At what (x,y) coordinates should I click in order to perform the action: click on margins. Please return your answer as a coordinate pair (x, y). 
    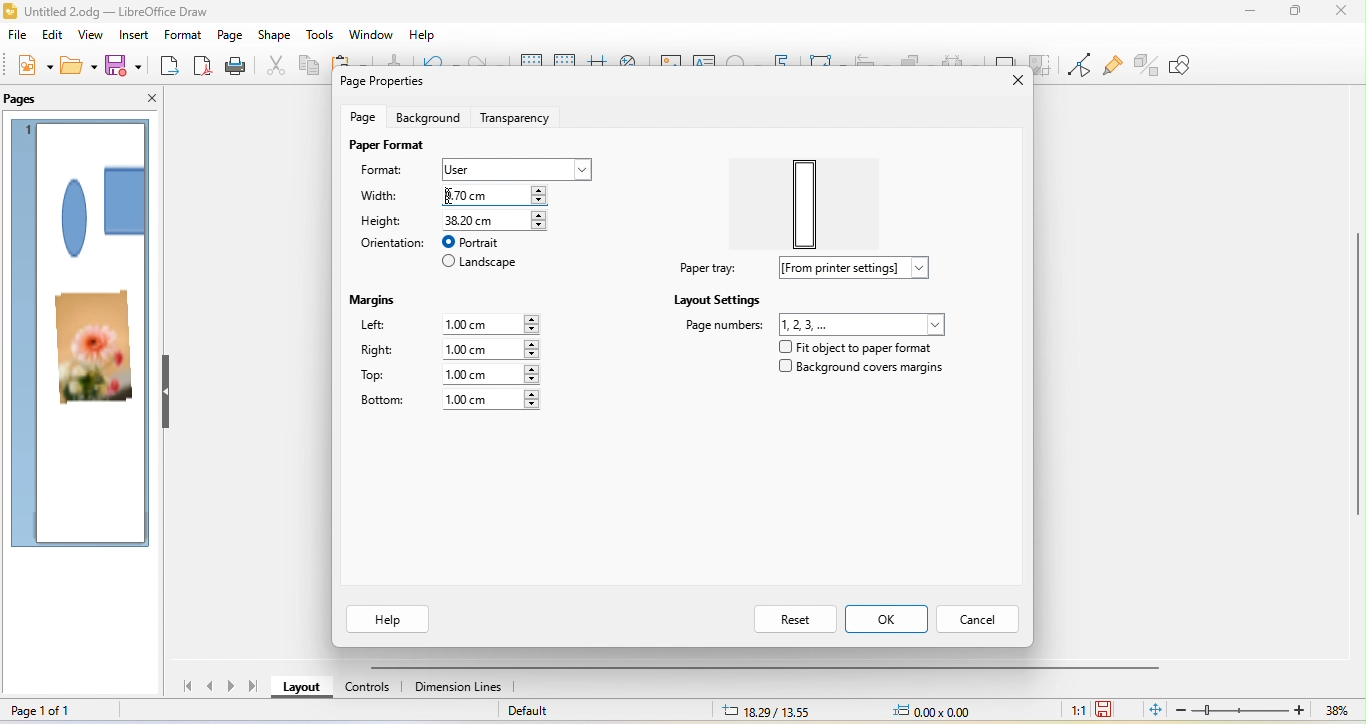
    Looking at the image, I should click on (375, 301).